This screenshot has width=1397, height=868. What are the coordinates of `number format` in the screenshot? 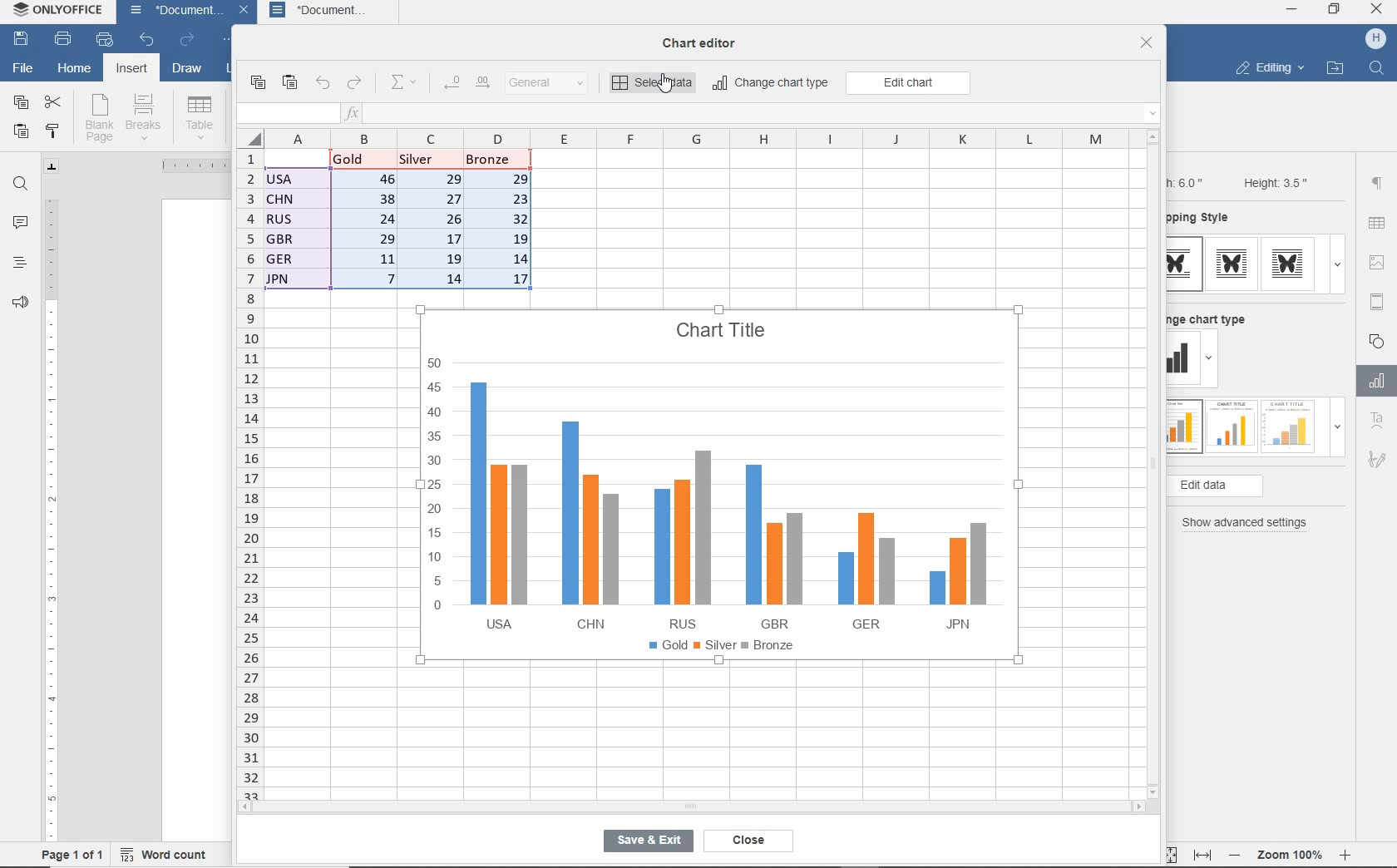 It's located at (553, 84).